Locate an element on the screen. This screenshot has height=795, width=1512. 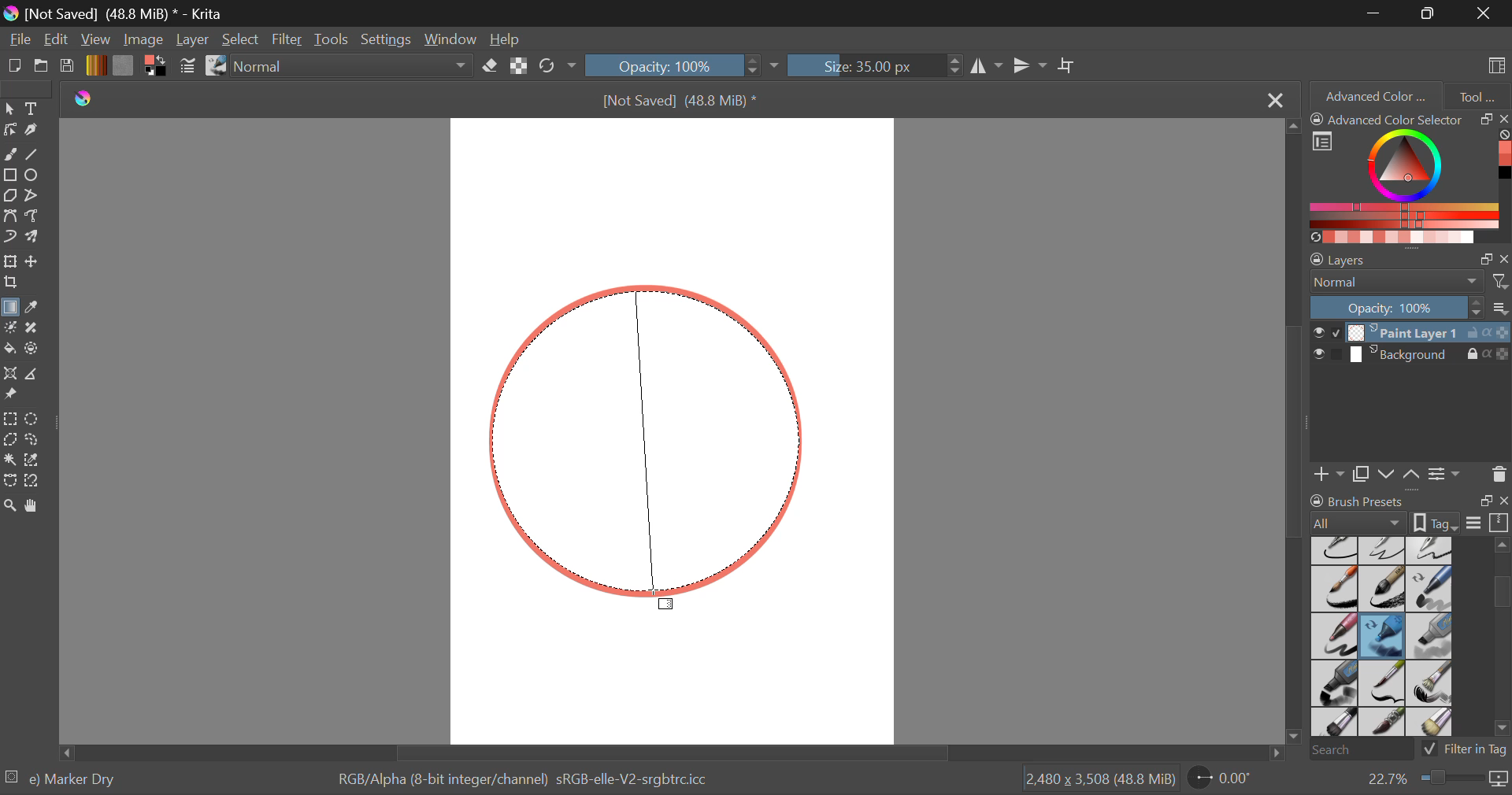
Page Dimensions is located at coordinates (1104, 779).